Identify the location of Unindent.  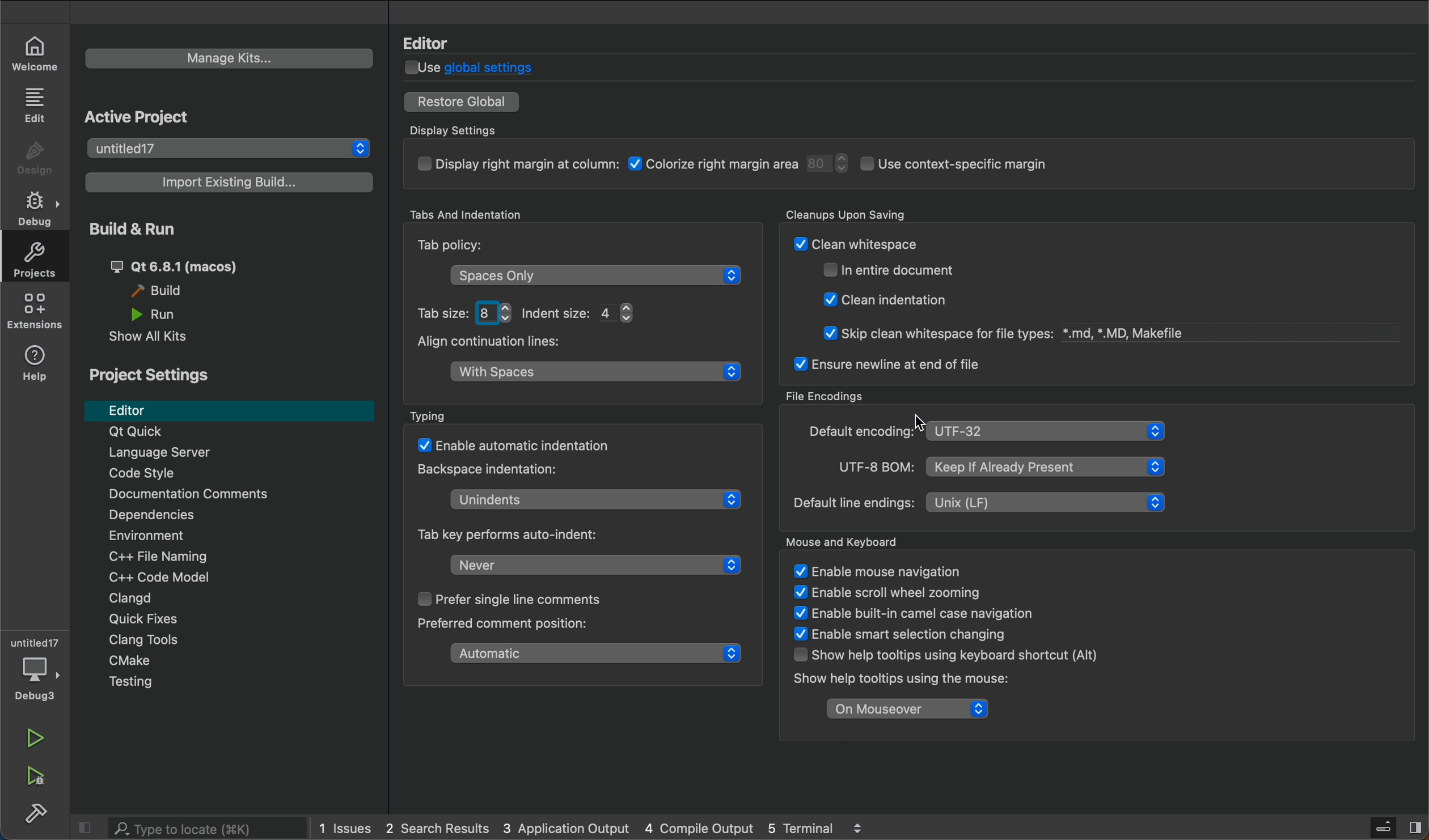
(603, 499).